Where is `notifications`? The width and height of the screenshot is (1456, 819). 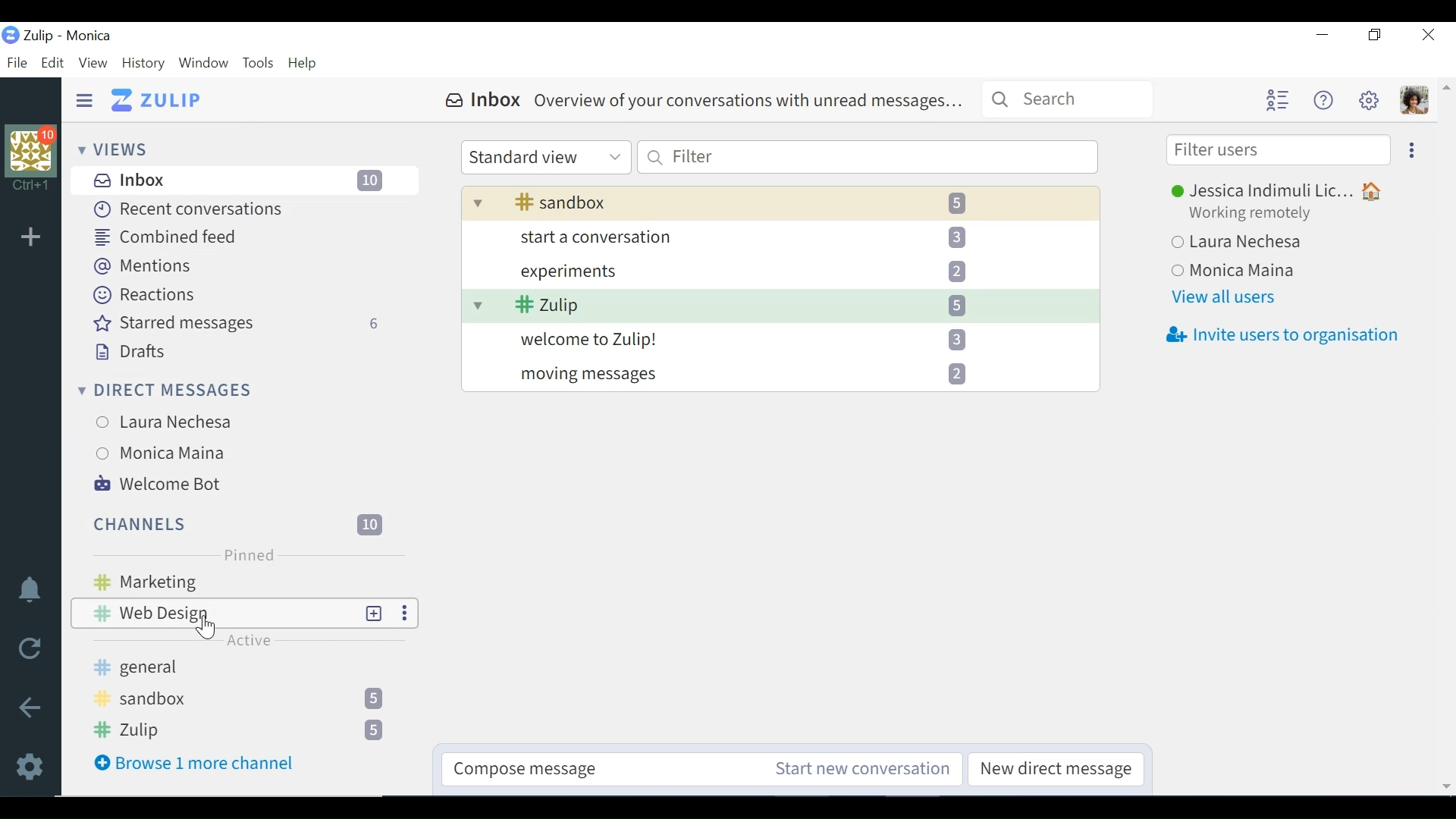
notifications is located at coordinates (30, 588).